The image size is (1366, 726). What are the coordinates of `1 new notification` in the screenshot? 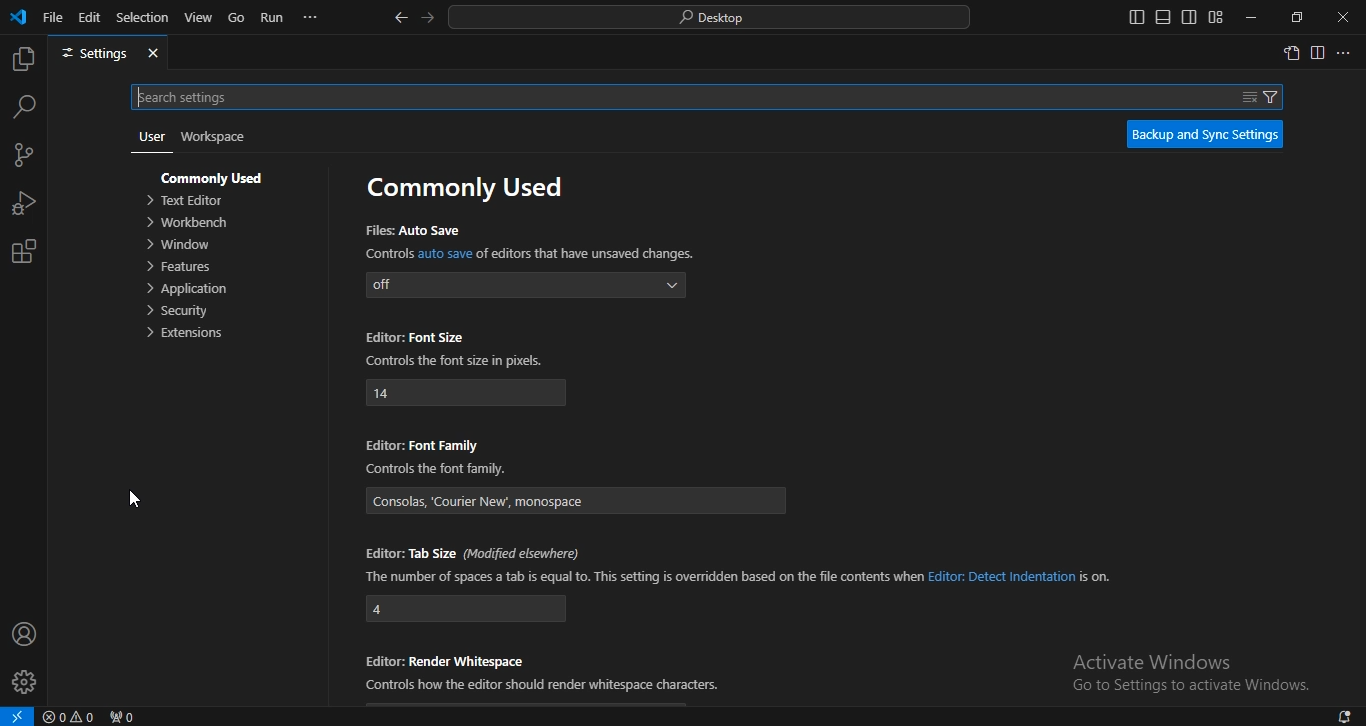 It's located at (1337, 714).